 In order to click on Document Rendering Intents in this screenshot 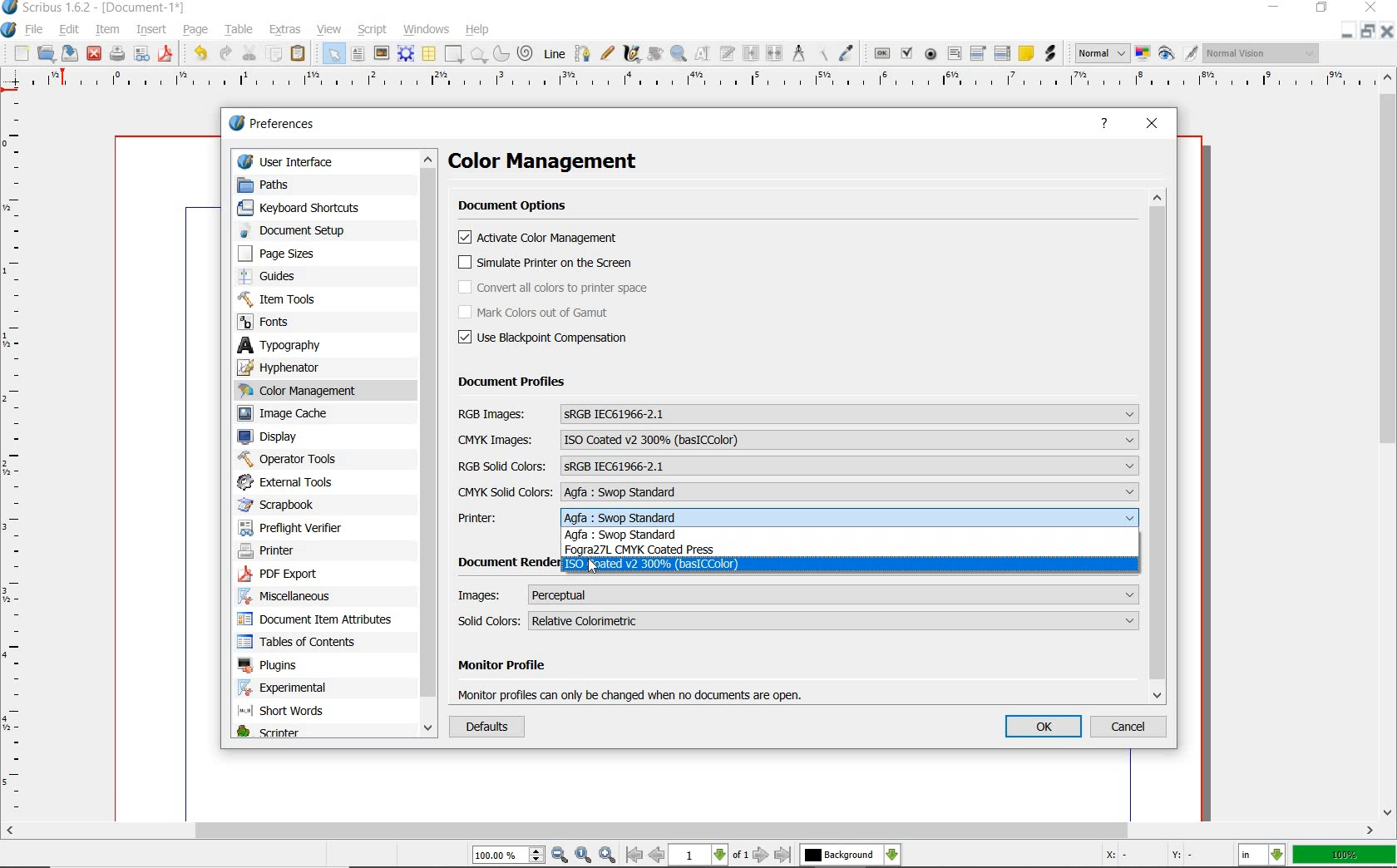, I will do `click(505, 563)`.